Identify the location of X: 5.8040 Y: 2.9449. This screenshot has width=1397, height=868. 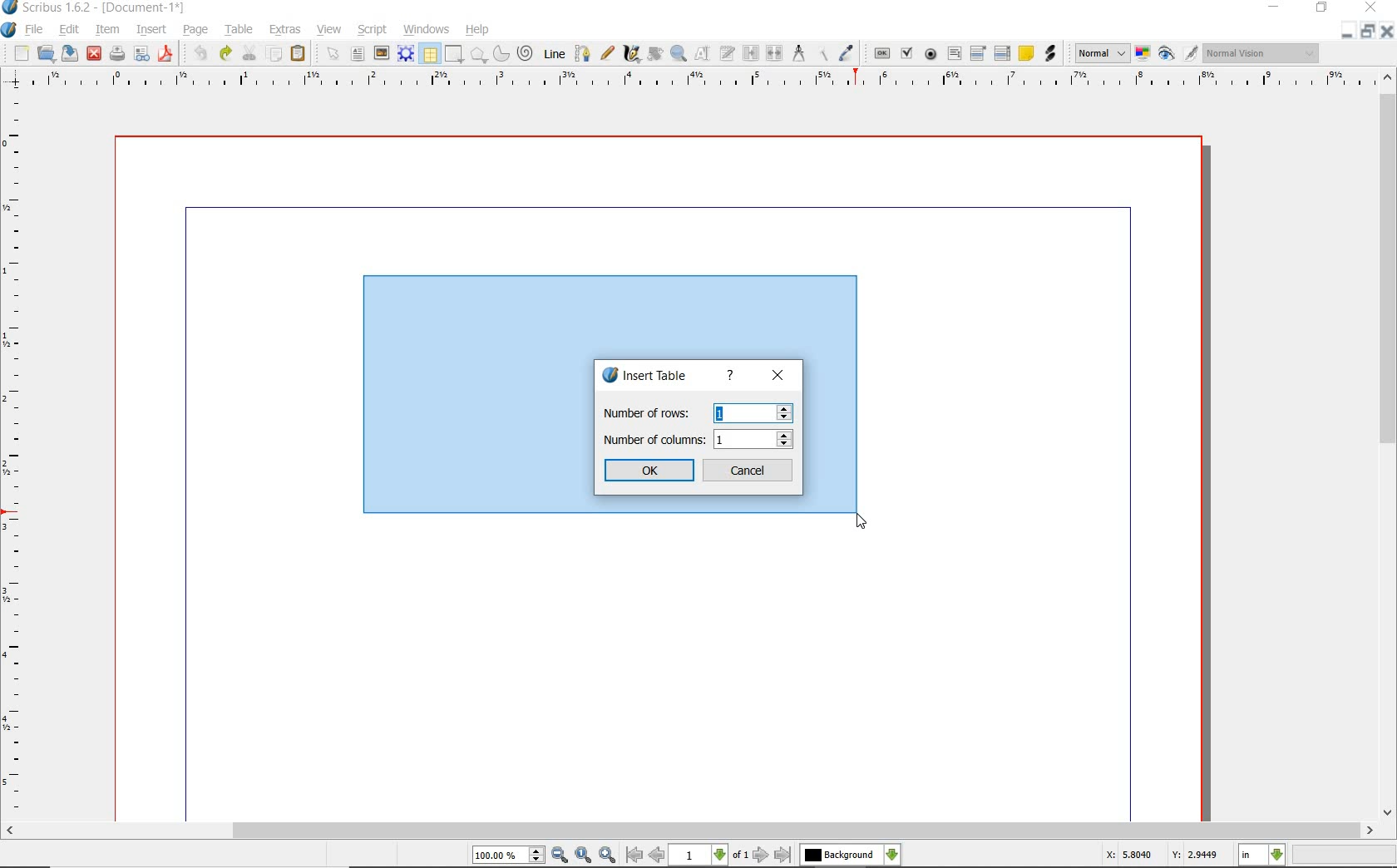
(1161, 856).